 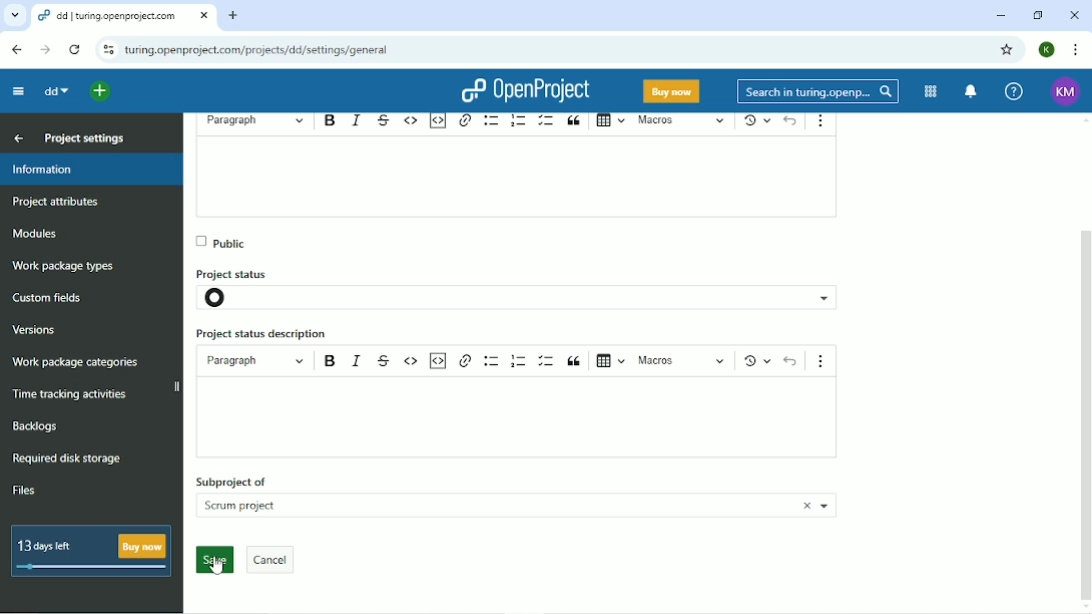 What do you see at coordinates (1068, 90) in the screenshot?
I see `KM` at bounding box center [1068, 90].